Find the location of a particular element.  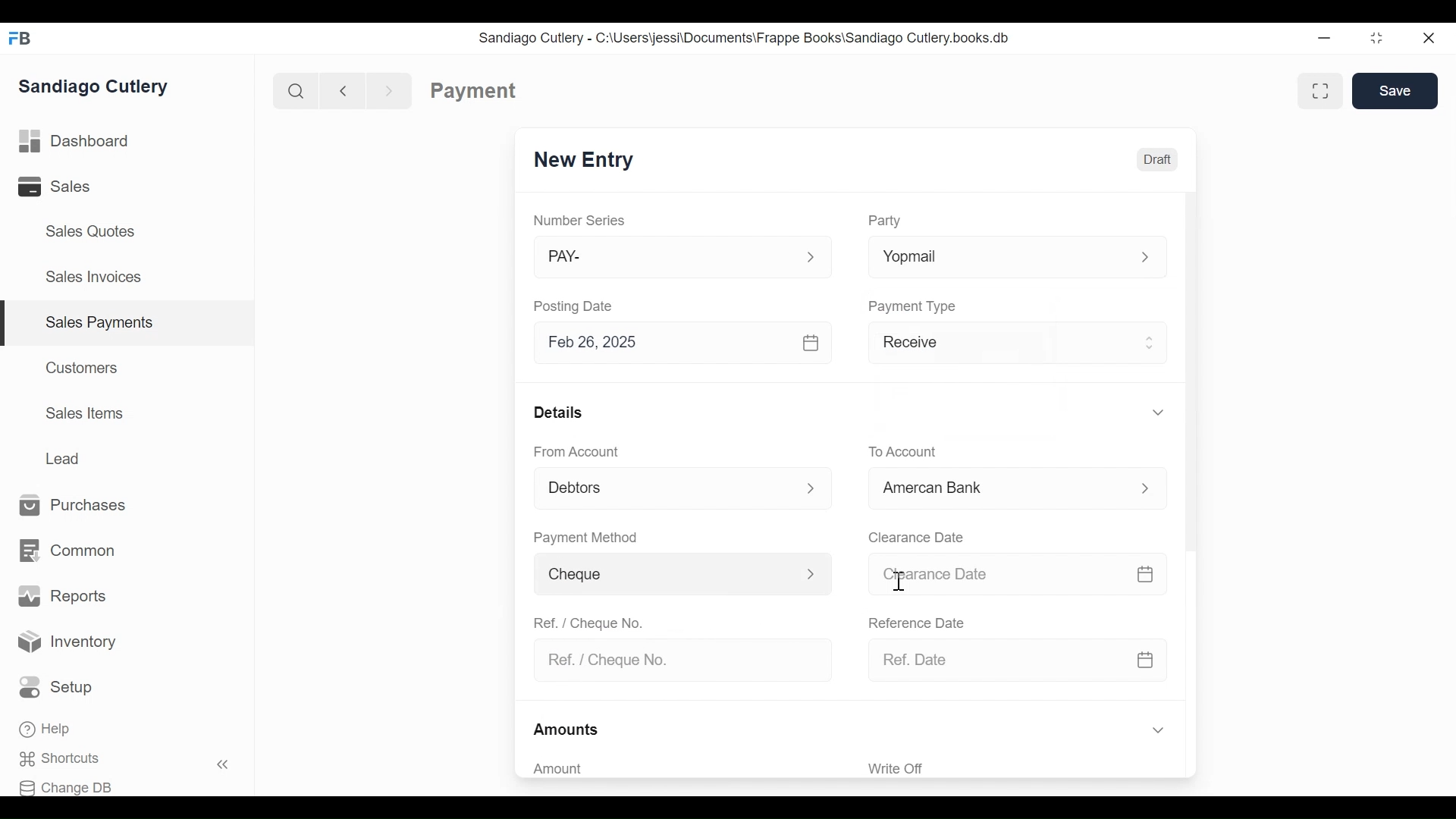

Setup is located at coordinates (60, 688).